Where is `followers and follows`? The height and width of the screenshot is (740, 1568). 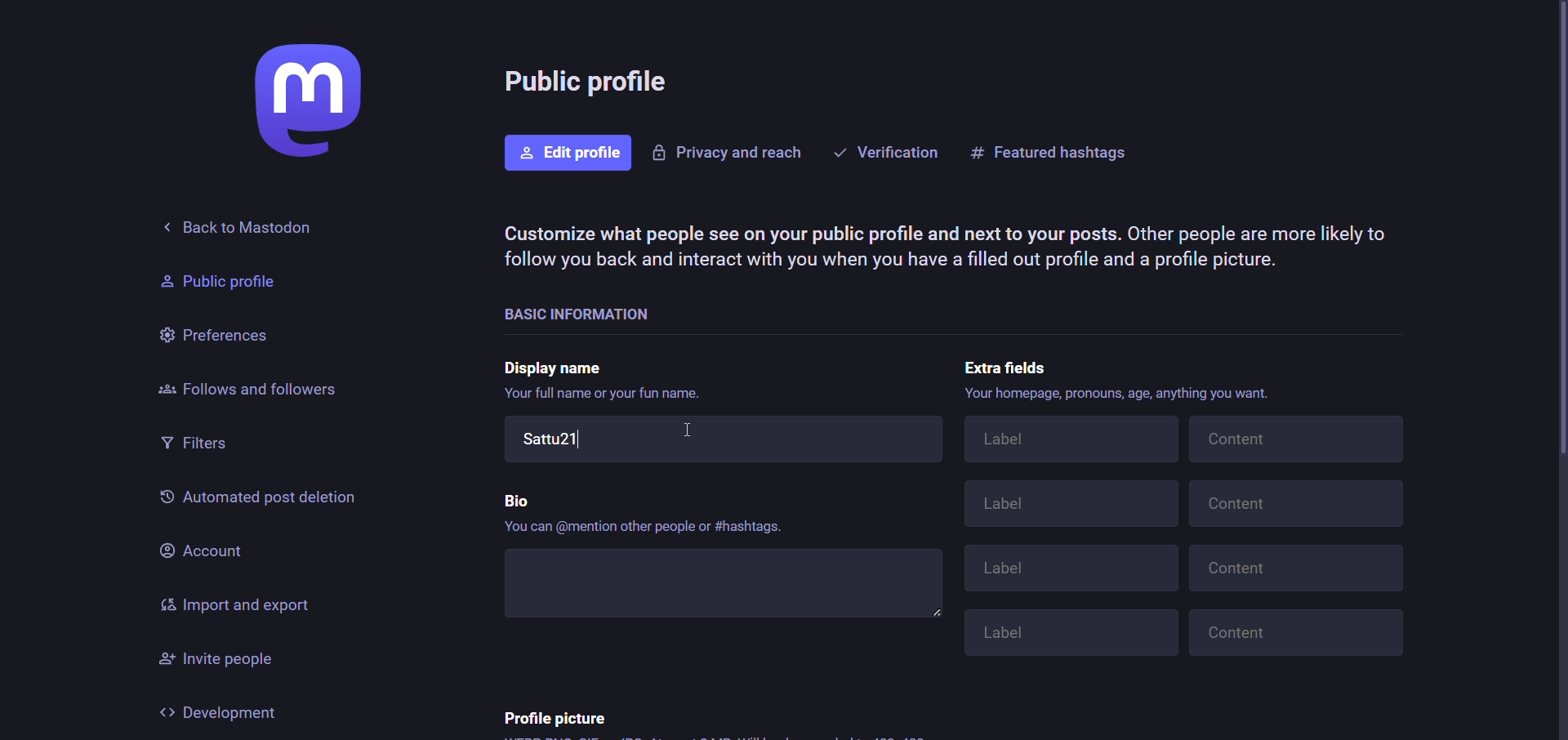 followers and follows is located at coordinates (249, 387).